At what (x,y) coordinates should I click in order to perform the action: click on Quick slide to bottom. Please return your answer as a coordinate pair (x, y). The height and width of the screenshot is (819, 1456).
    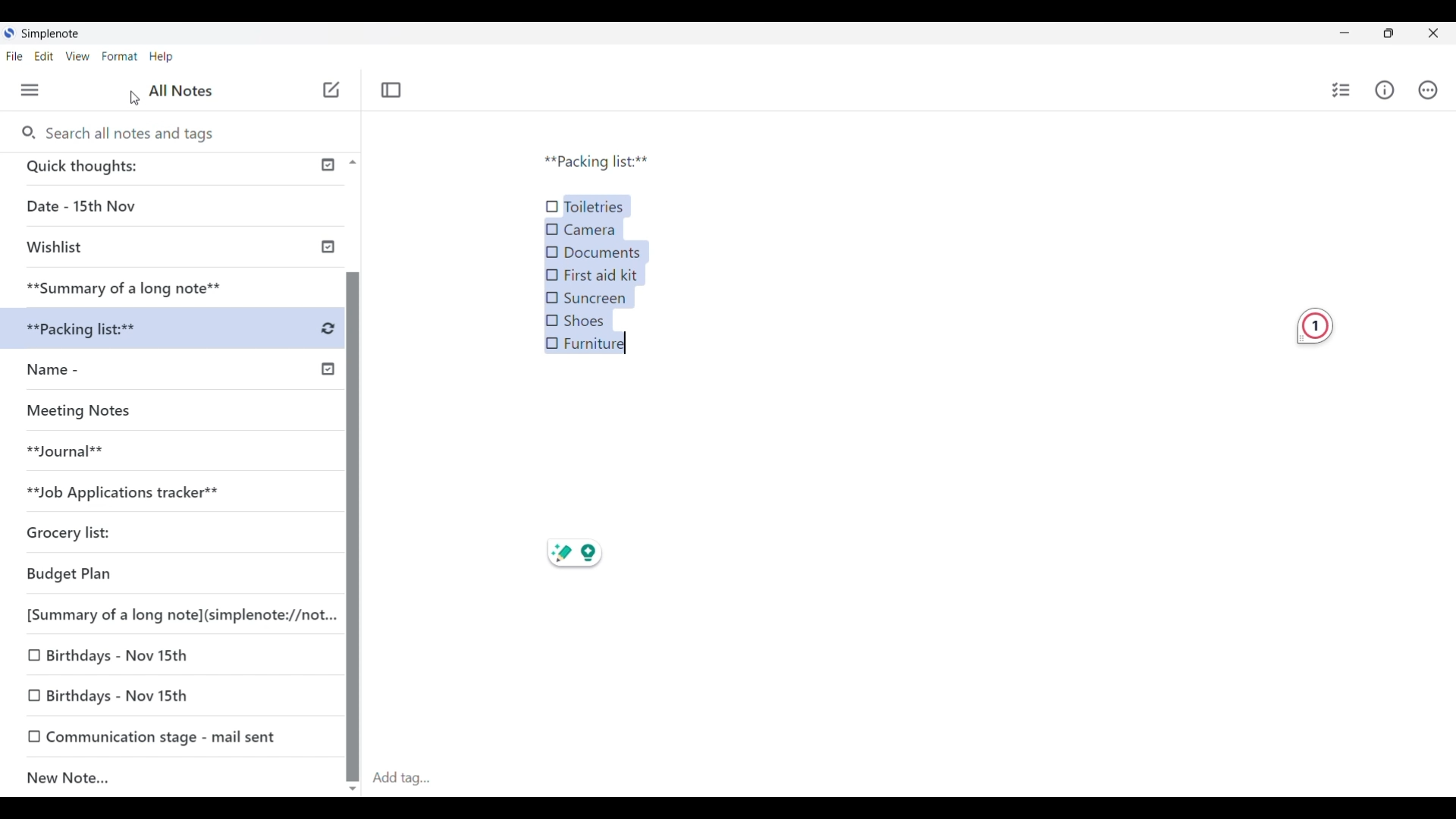
    Looking at the image, I should click on (353, 789).